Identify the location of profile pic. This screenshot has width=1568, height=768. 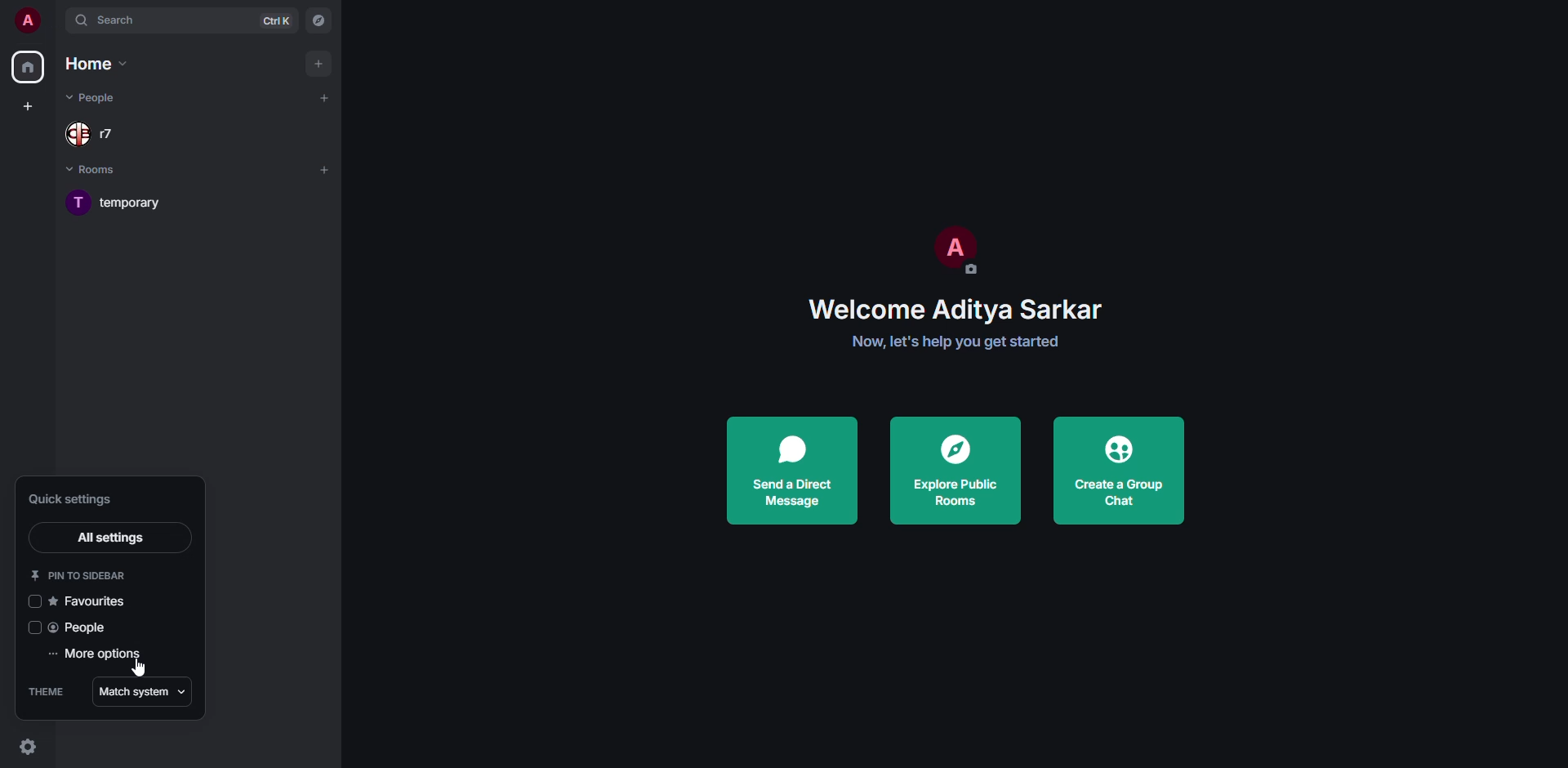
(951, 248).